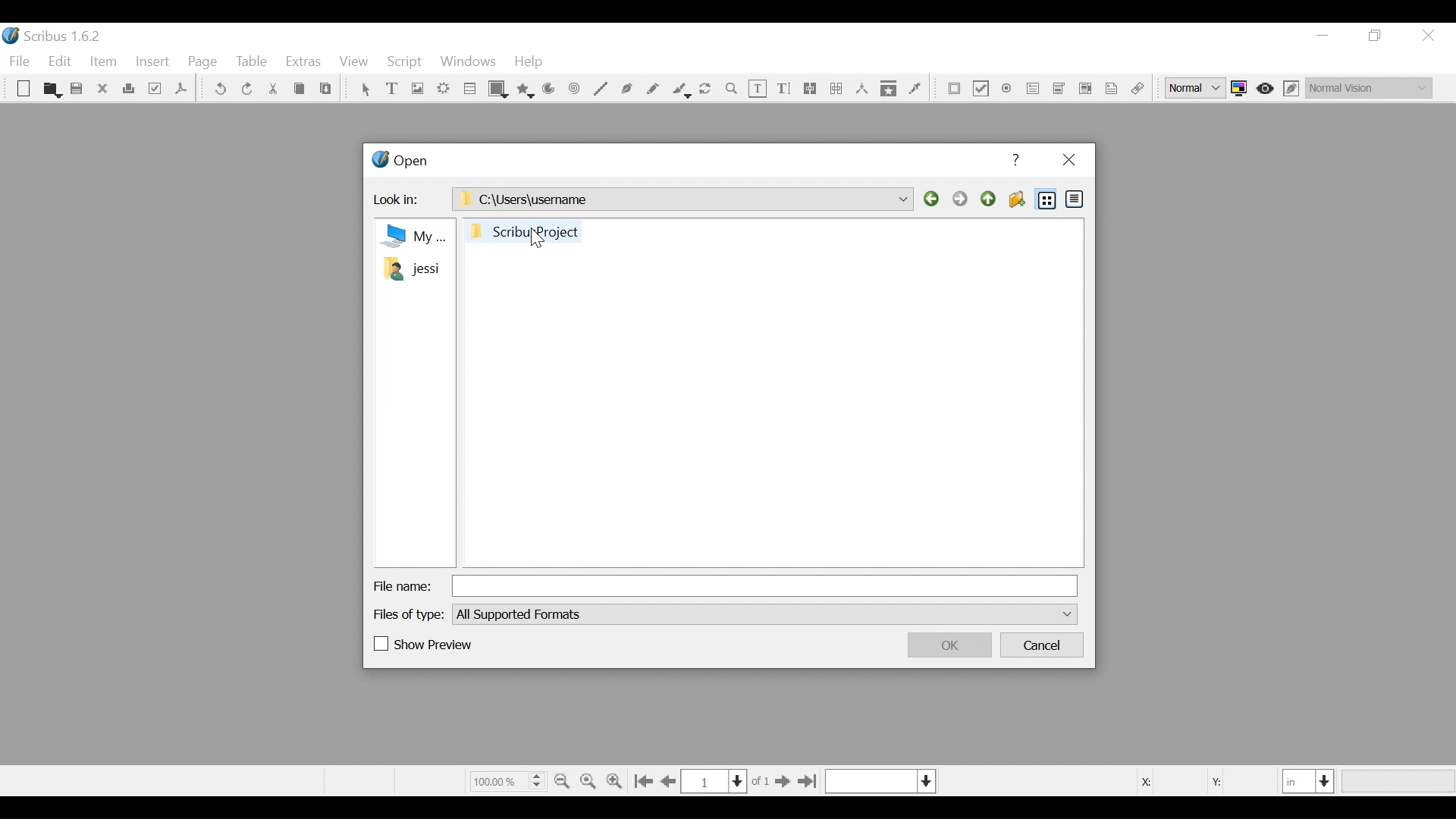 The image size is (1456, 819). I want to click on Pdf List Box, so click(1086, 88).